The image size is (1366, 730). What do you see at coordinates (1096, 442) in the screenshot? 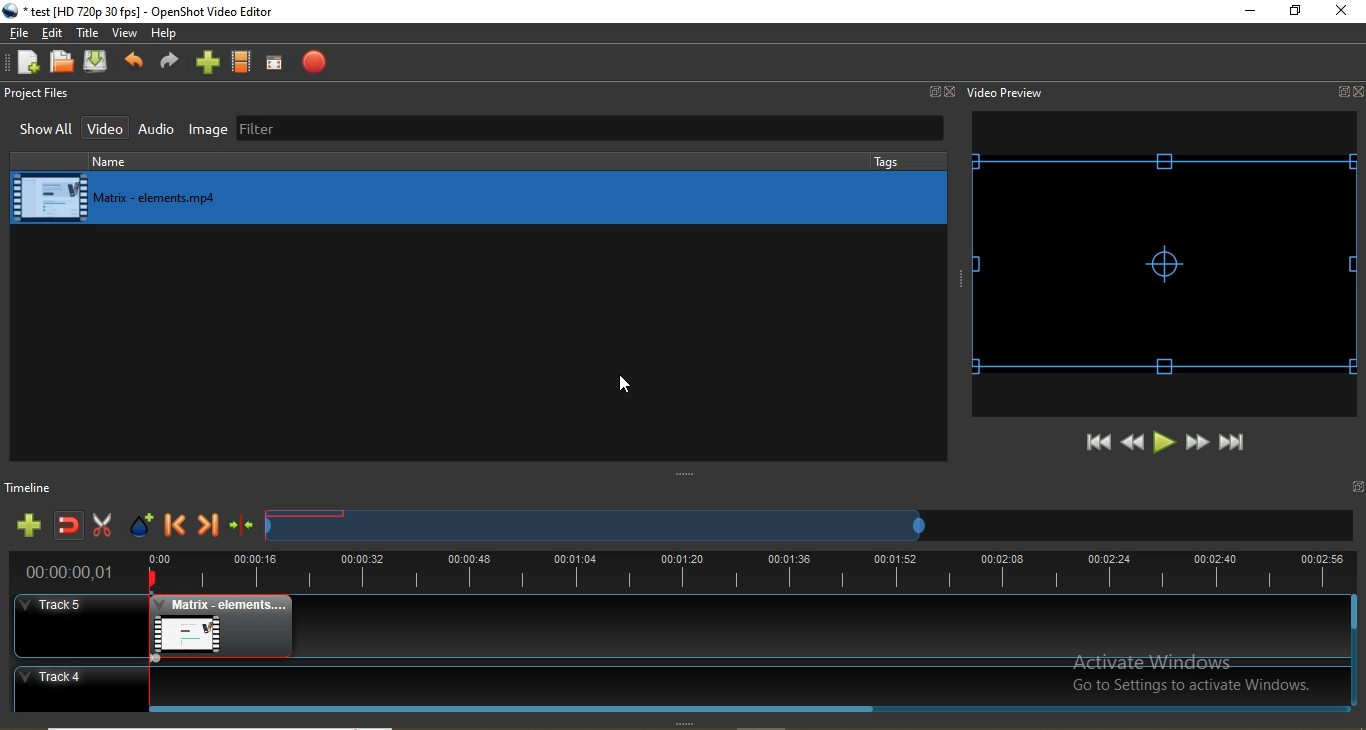
I see `Jump to start` at bounding box center [1096, 442].